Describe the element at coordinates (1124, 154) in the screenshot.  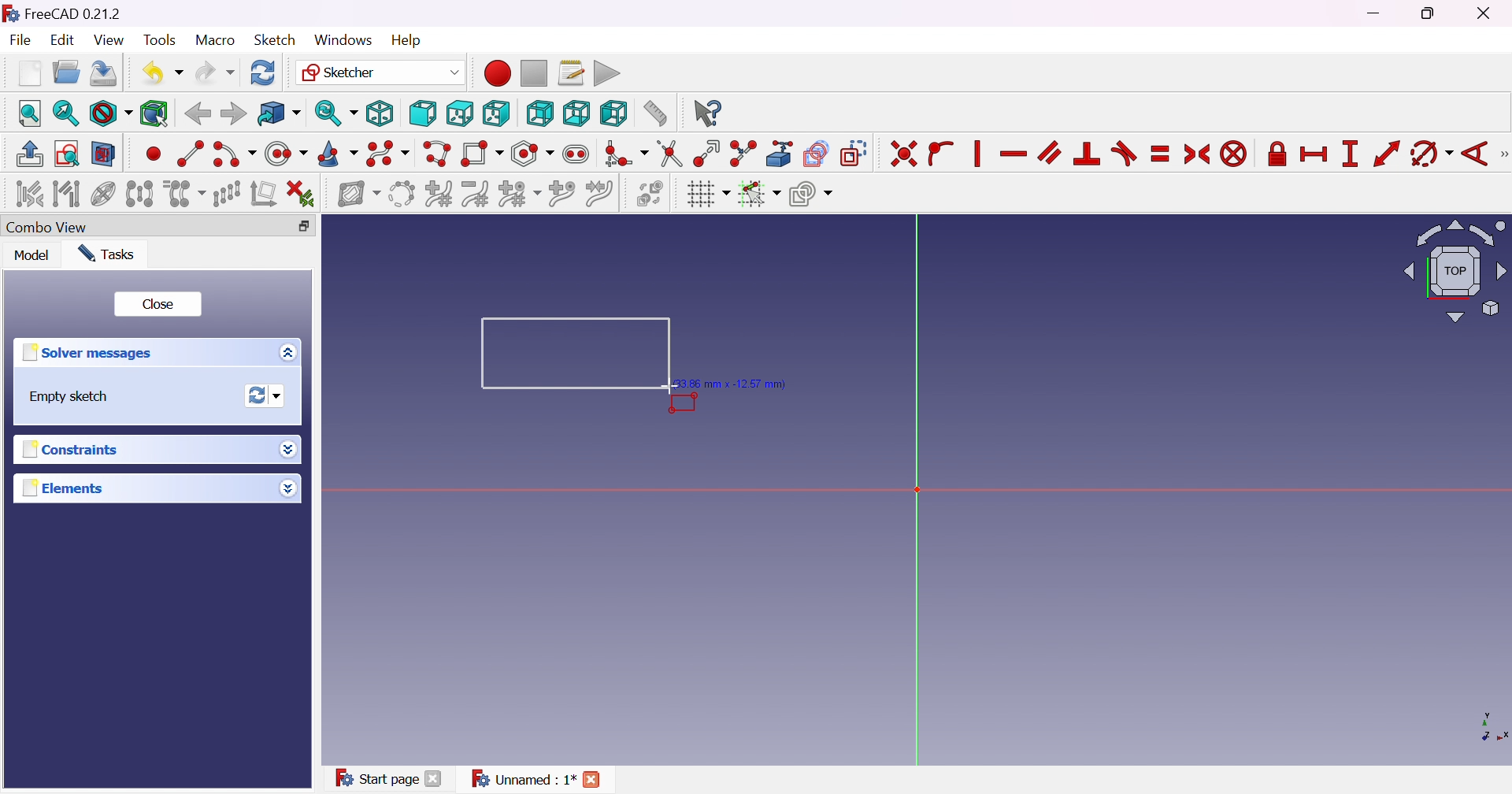
I see `Constrain tangent` at that location.